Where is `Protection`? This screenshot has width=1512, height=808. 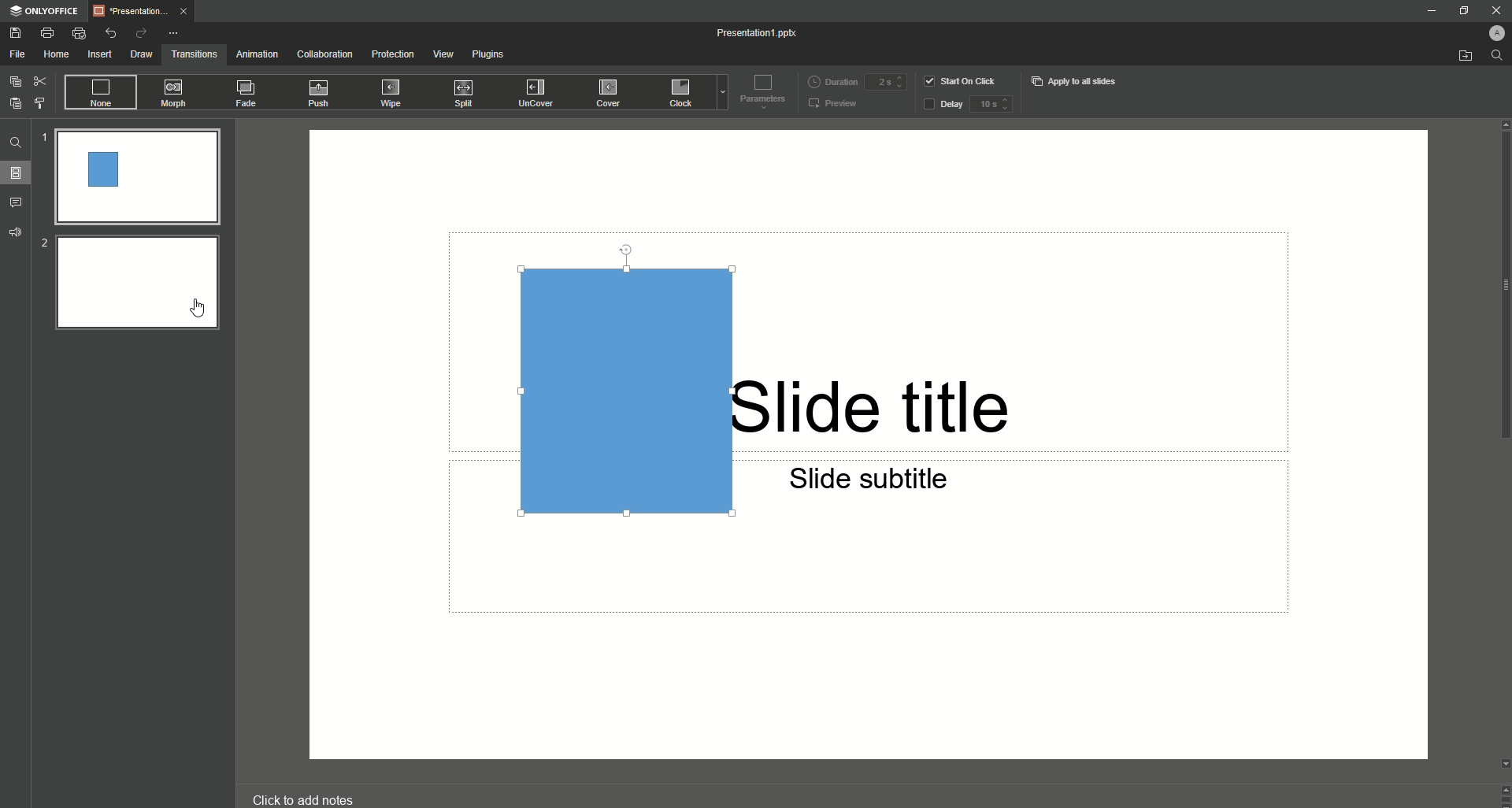
Protection is located at coordinates (393, 54).